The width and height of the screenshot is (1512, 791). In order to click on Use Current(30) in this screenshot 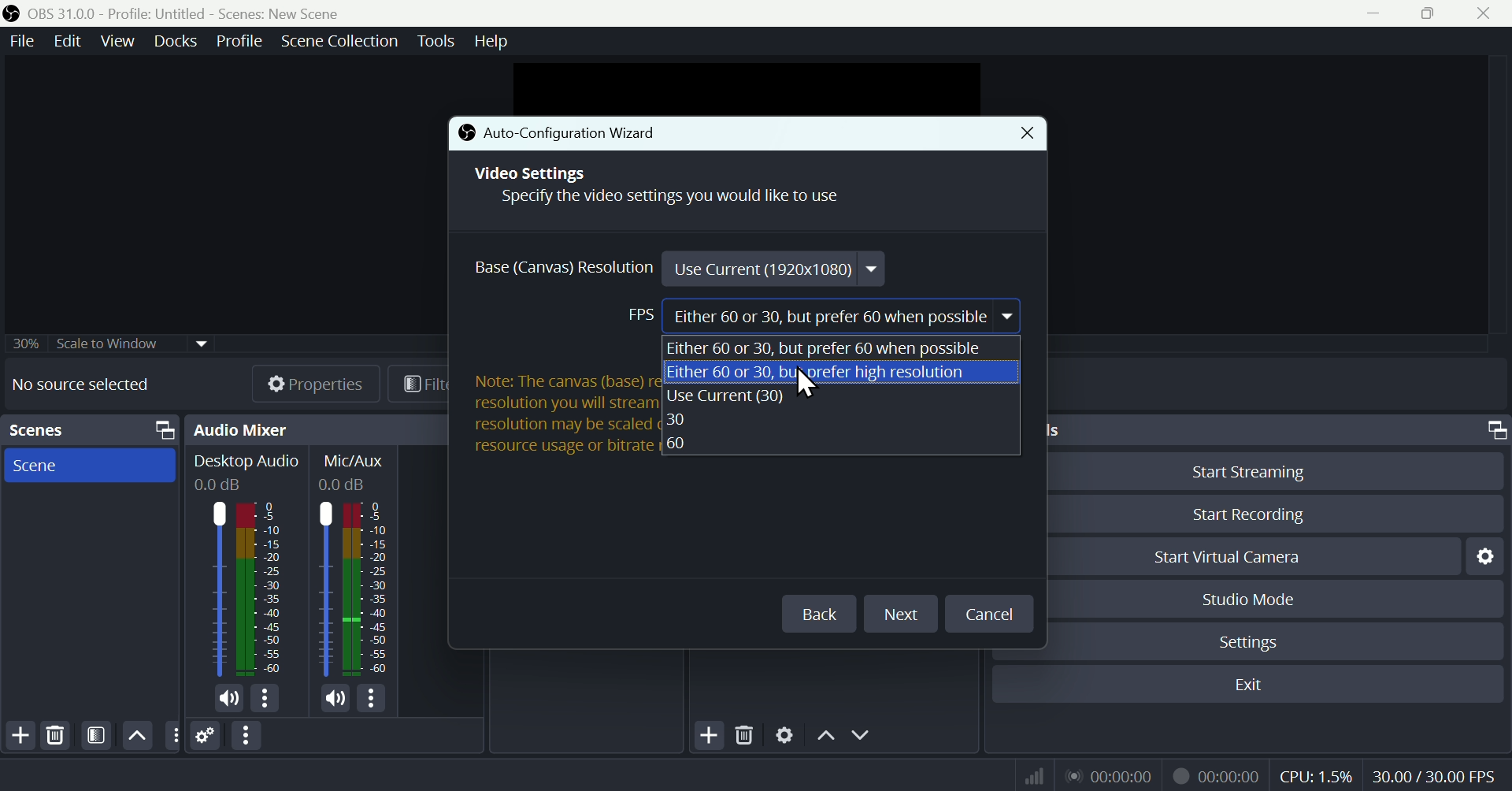, I will do `click(737, 396)`.